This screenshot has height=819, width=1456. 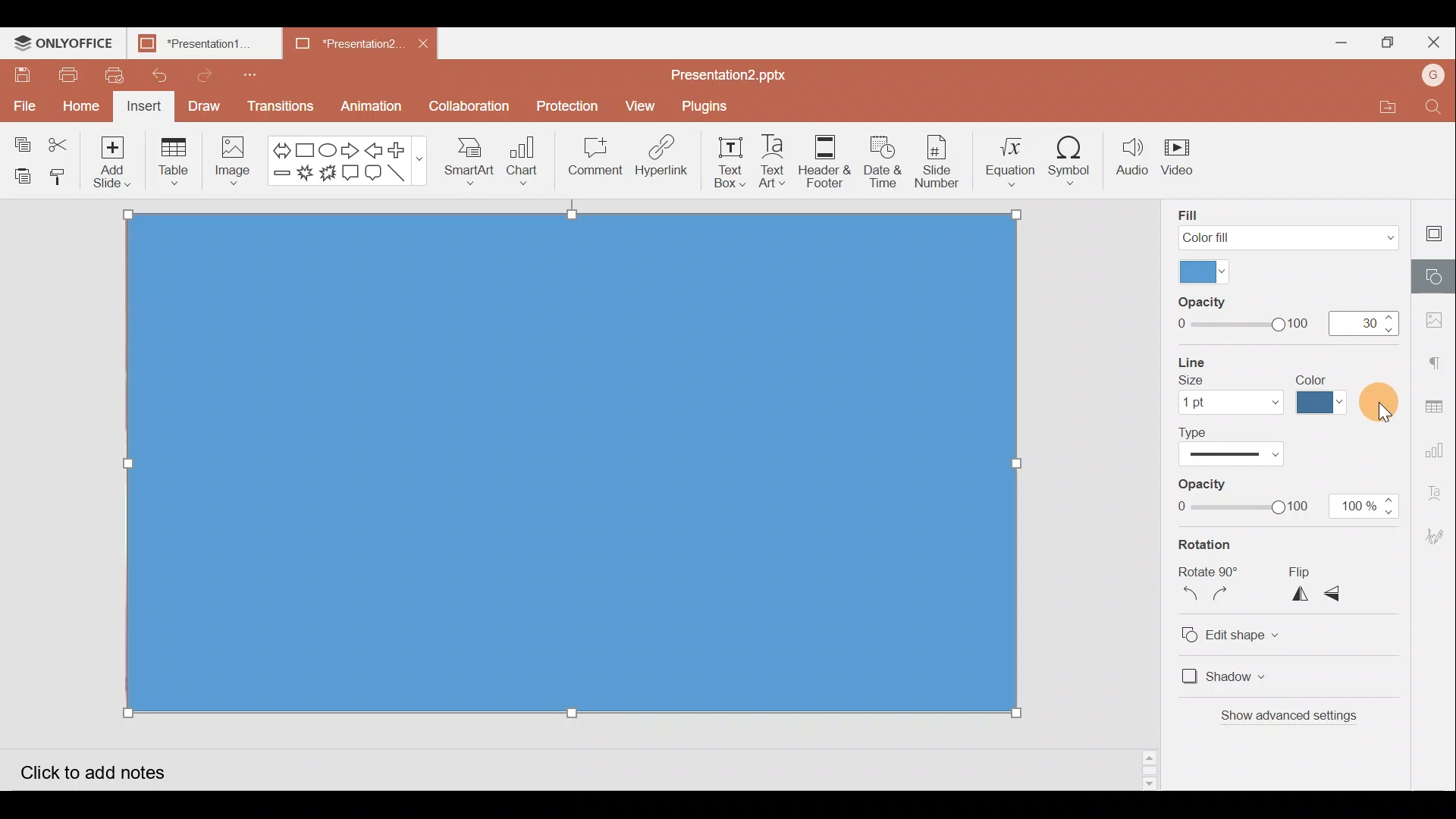 What do you see at coordinates (374, 149) in the screenshot?
I see `Left arrow` at bounding box center [374, 149].